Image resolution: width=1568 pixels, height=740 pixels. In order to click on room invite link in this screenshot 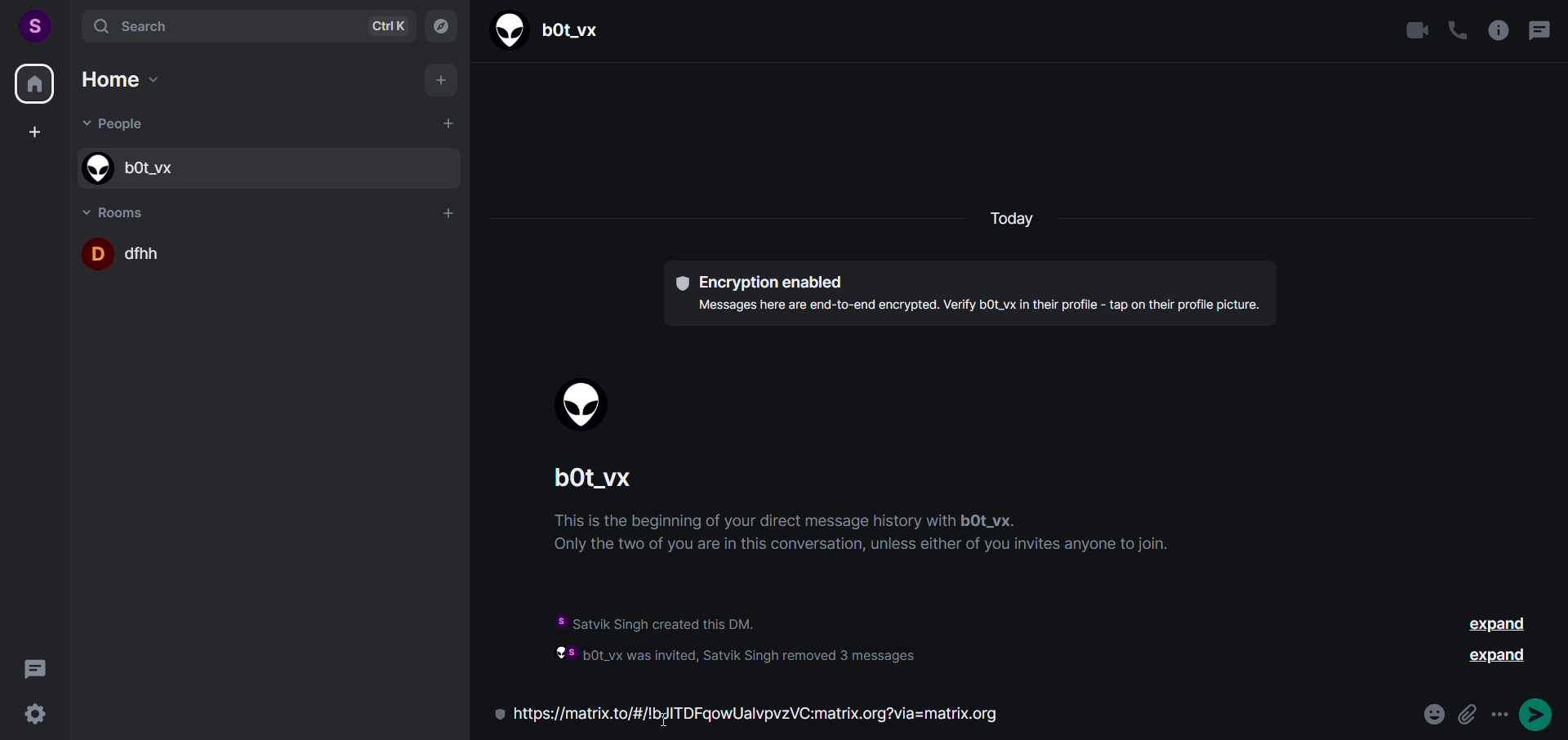, I will do `click(770, 714)`.